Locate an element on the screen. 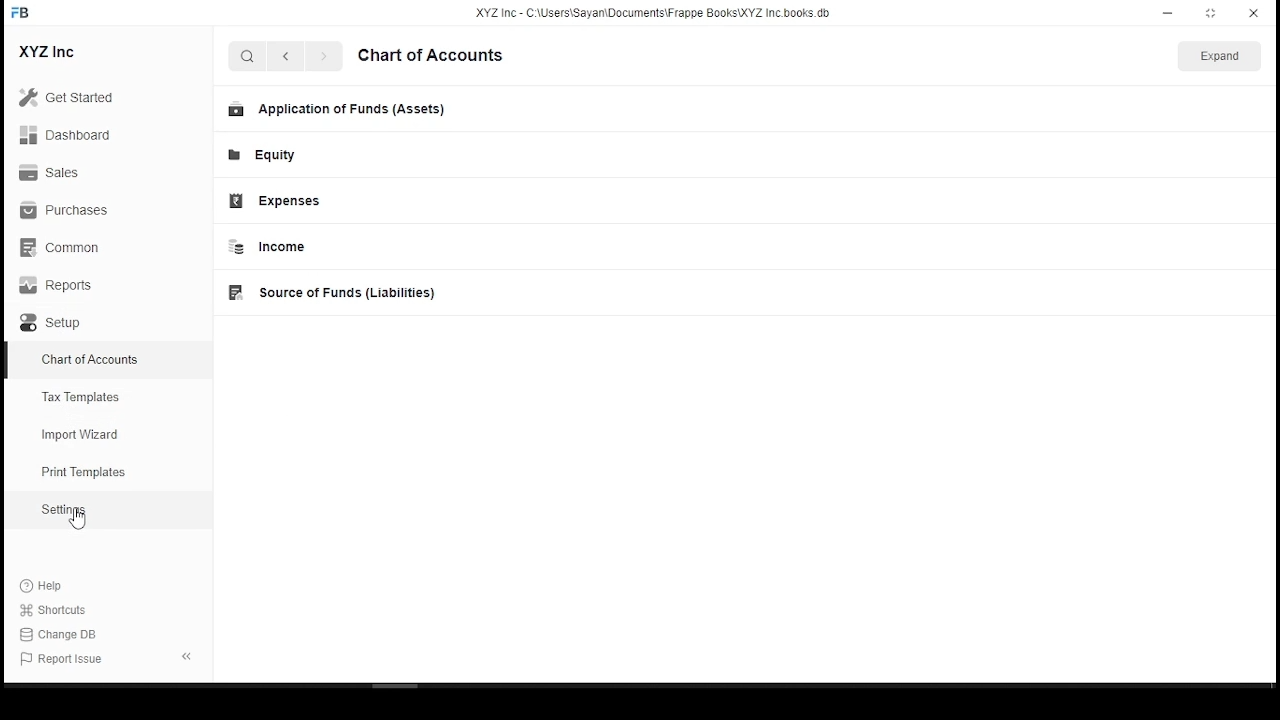  Setting is located at coordinates (63, 509).